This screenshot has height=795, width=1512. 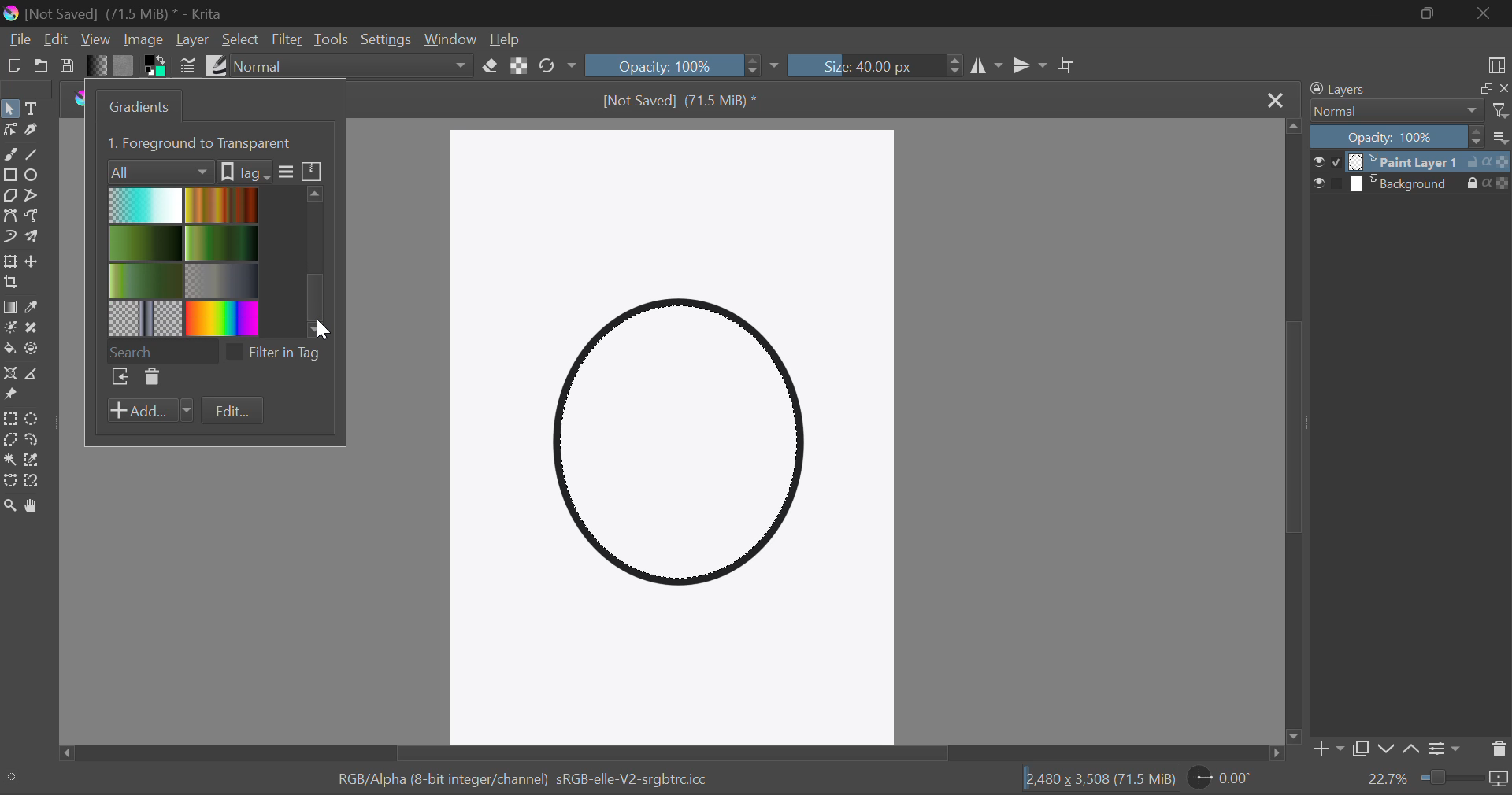 I want to click on Opacity, so click(x=1395, y=138).